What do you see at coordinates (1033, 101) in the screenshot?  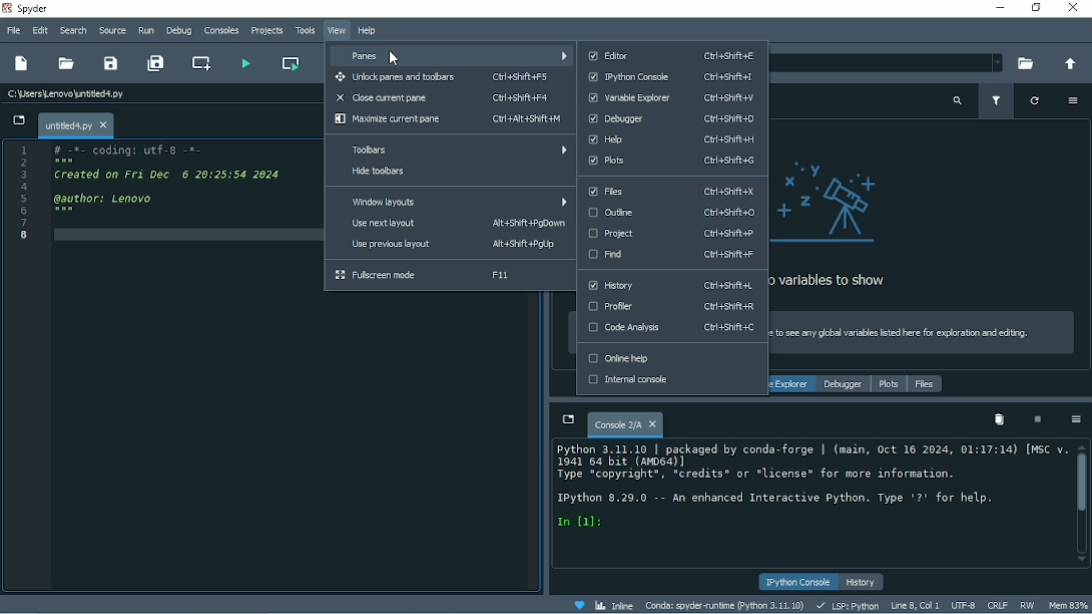 I see `Refresh variables` at bounding box center [1033, 101].